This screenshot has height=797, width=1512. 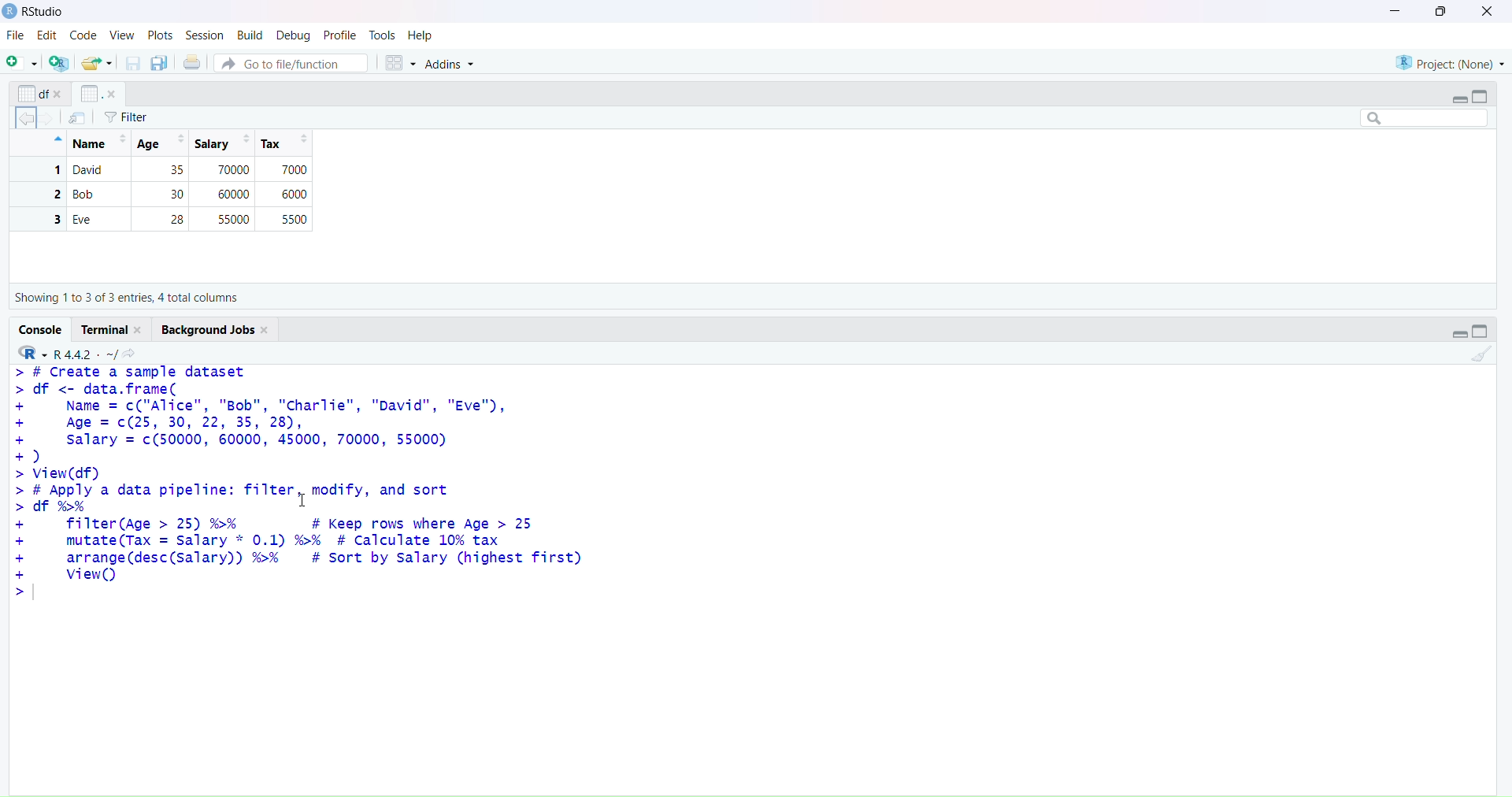 What do you see at coordinates (1416, 118) in the screenshot?
I see `search` at bounding box center [1416, 118].